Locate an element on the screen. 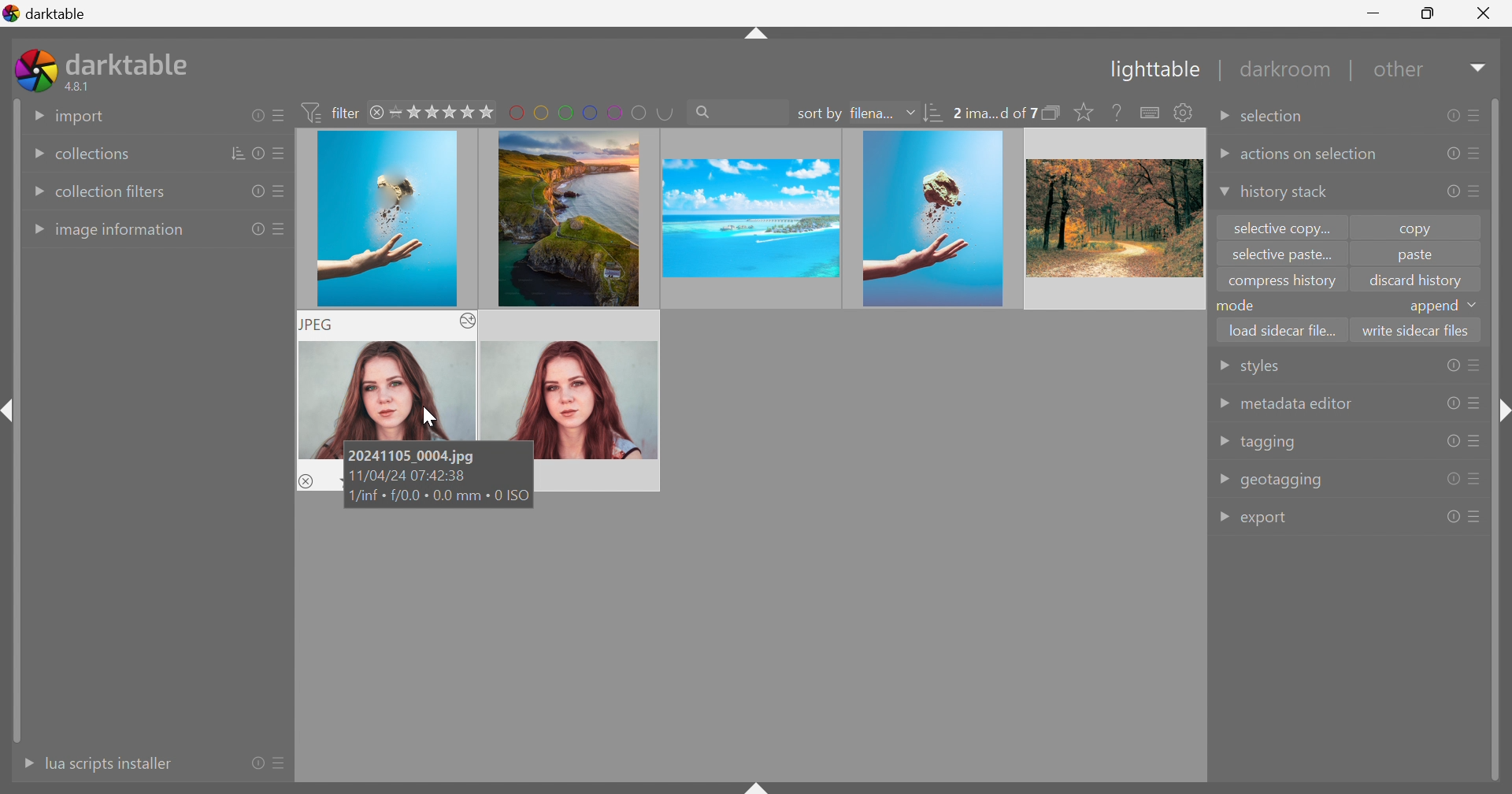 This screenshot has height=794, width=1512. filter is located at coordinates (334, 112).